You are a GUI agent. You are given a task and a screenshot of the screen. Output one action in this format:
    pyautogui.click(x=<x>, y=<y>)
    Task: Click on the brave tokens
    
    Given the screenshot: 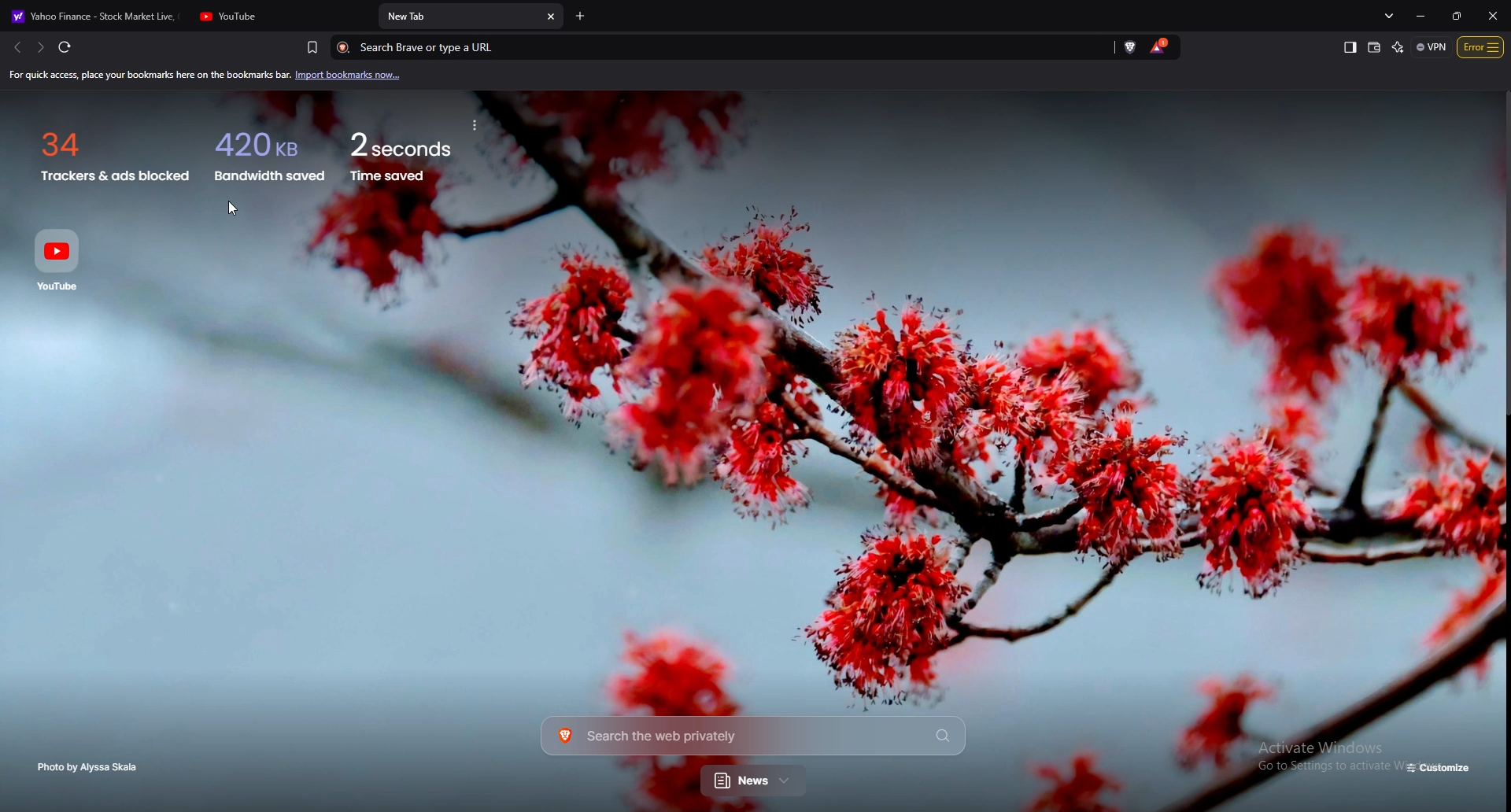 What is the action you would take?
    pyautogui.click(x=1160, y=46)
    